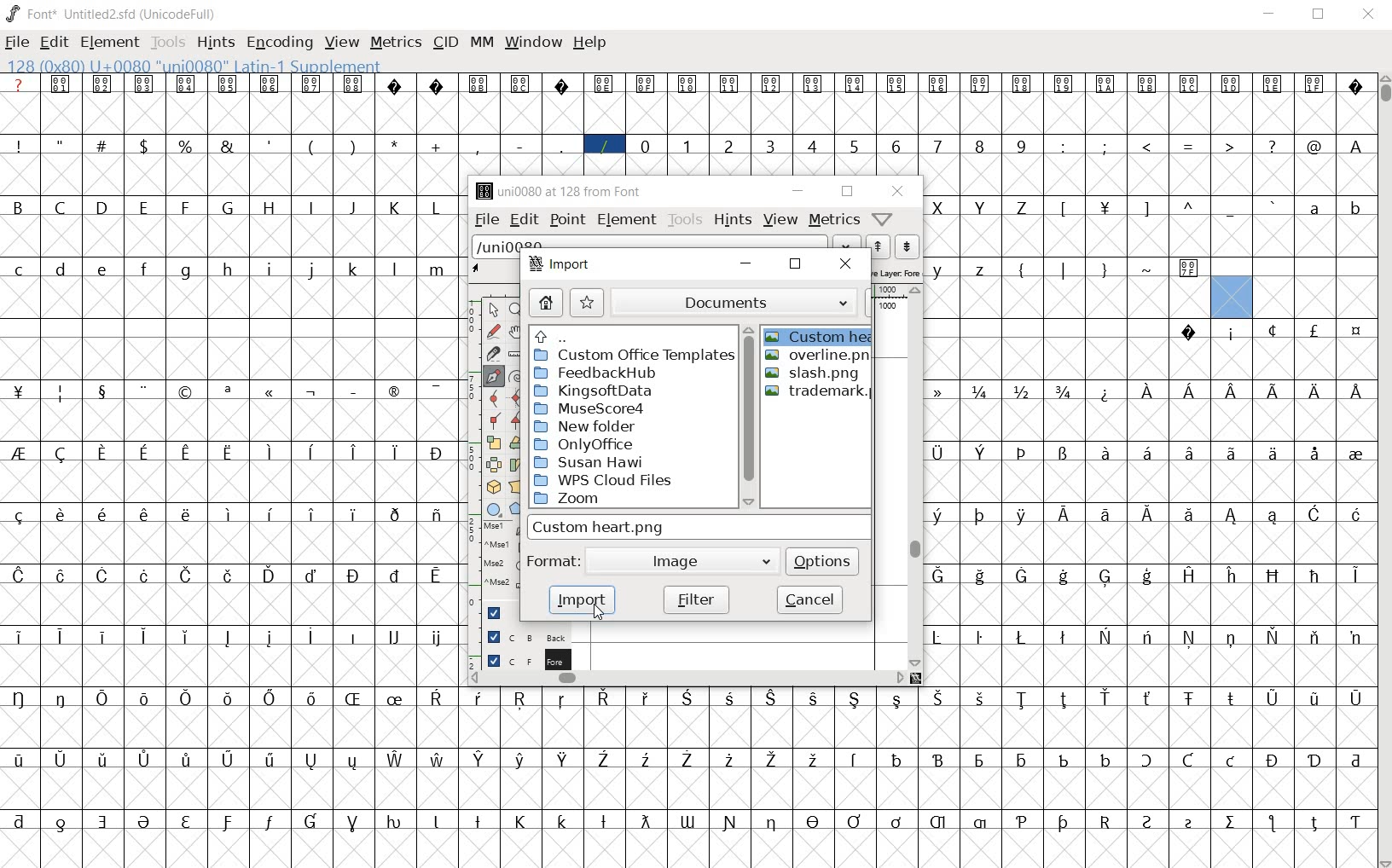 Image resolution: width=1392 pixels, height=868 pixels. Describe the element at coordinates (896, 147) in the screenshot. I see `glyph` at that location.